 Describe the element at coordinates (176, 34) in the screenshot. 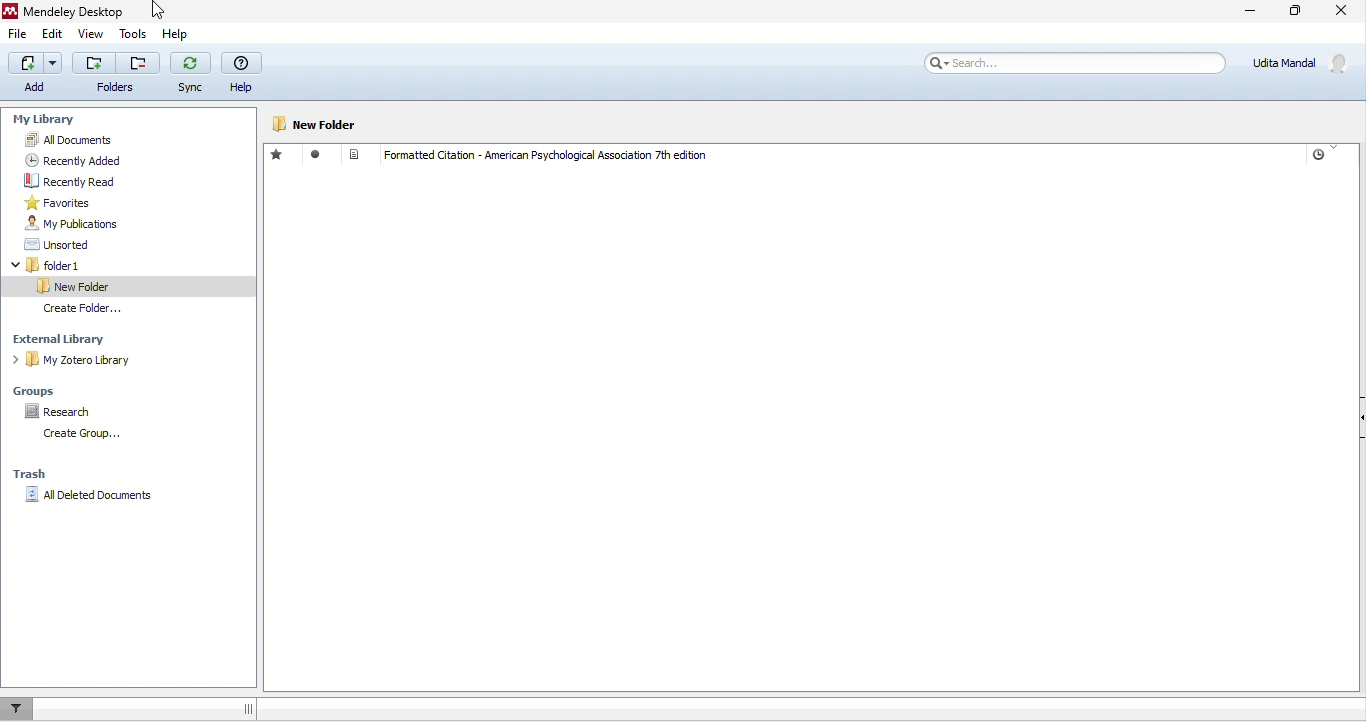

I see `help` at that location.